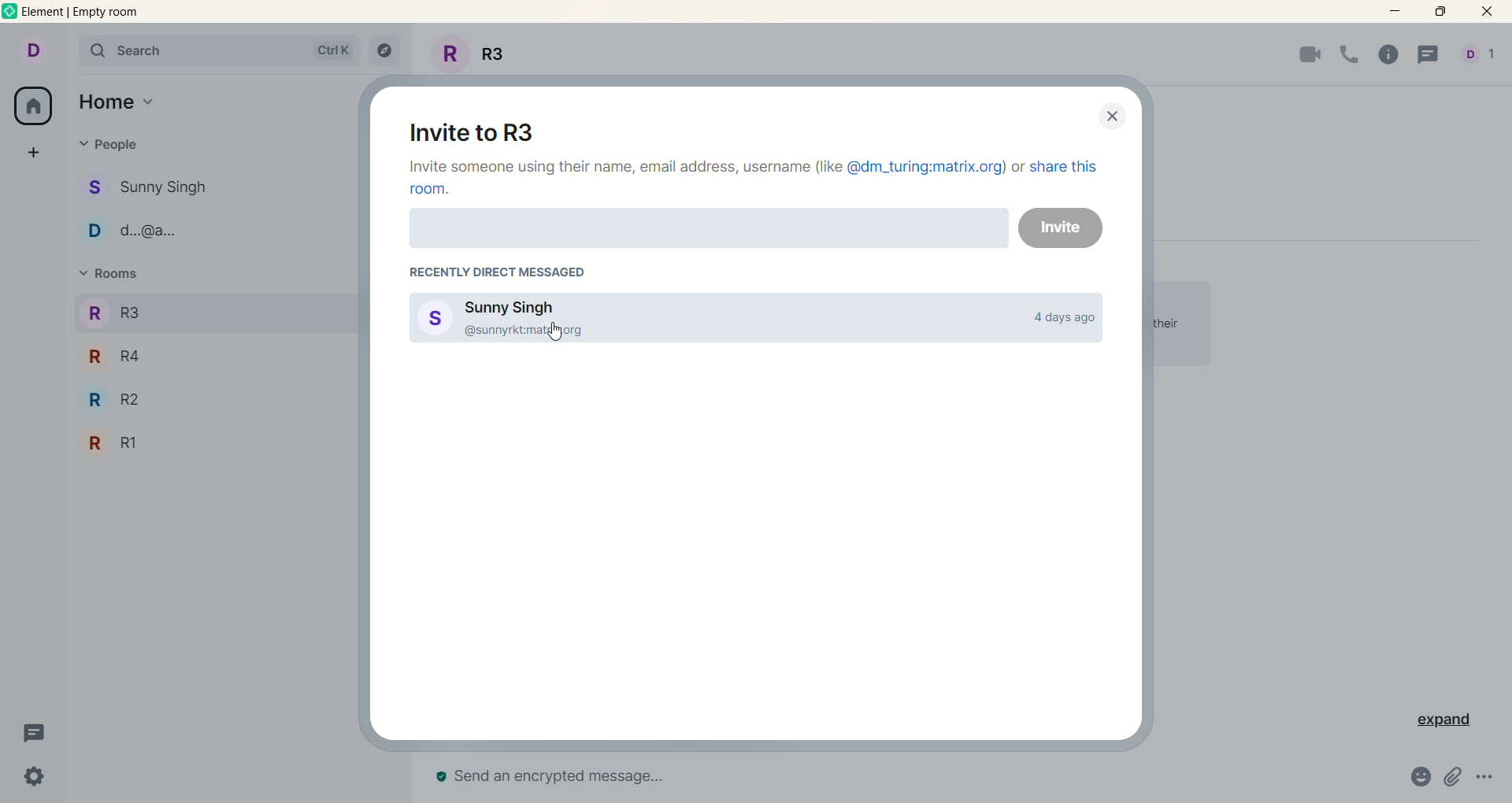 The width and height of the screenshot is (1512, 803). I want to click on options, so click(1486, 782).